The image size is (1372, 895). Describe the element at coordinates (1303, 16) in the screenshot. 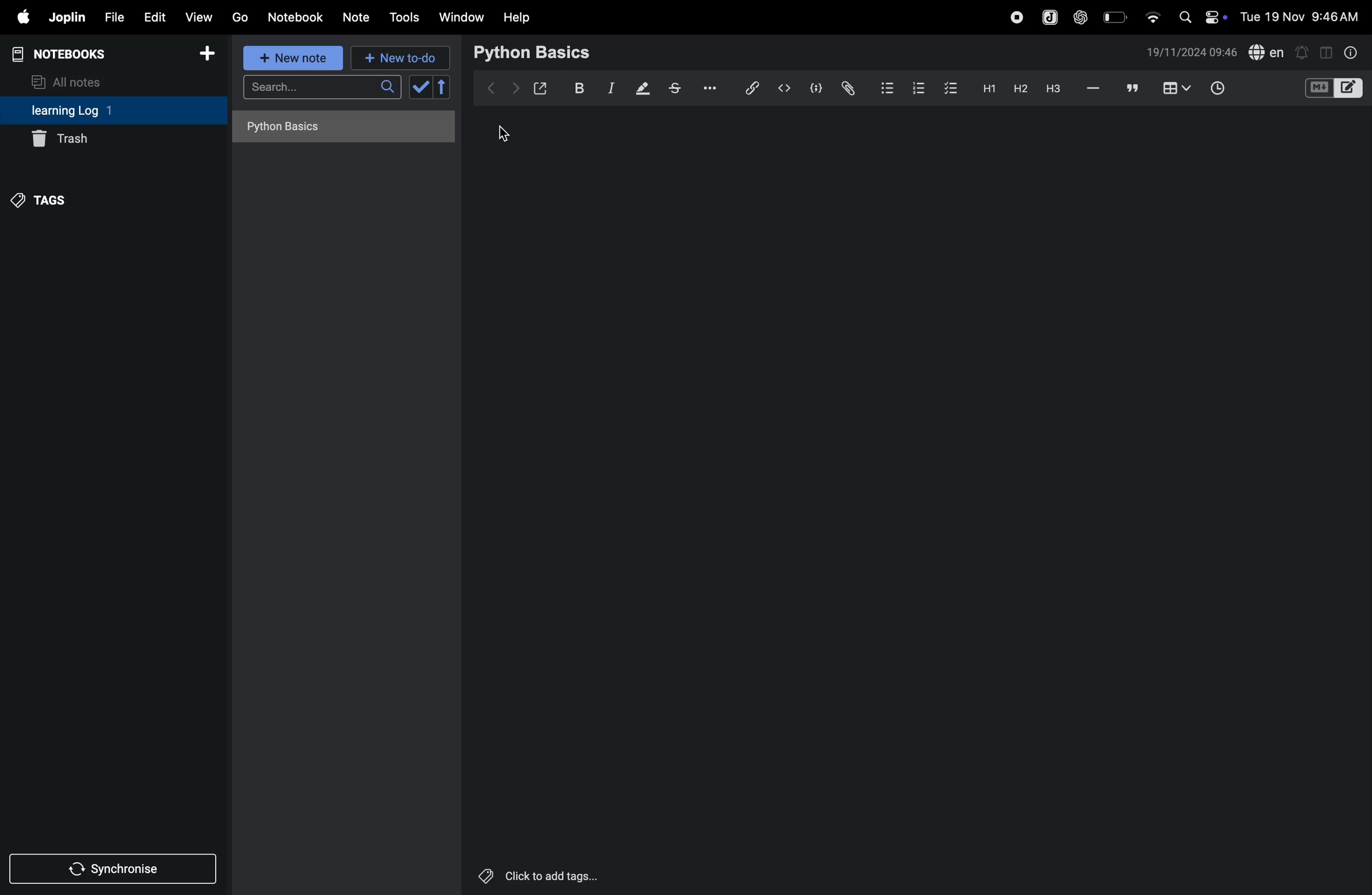

I see `date and time` at that location.